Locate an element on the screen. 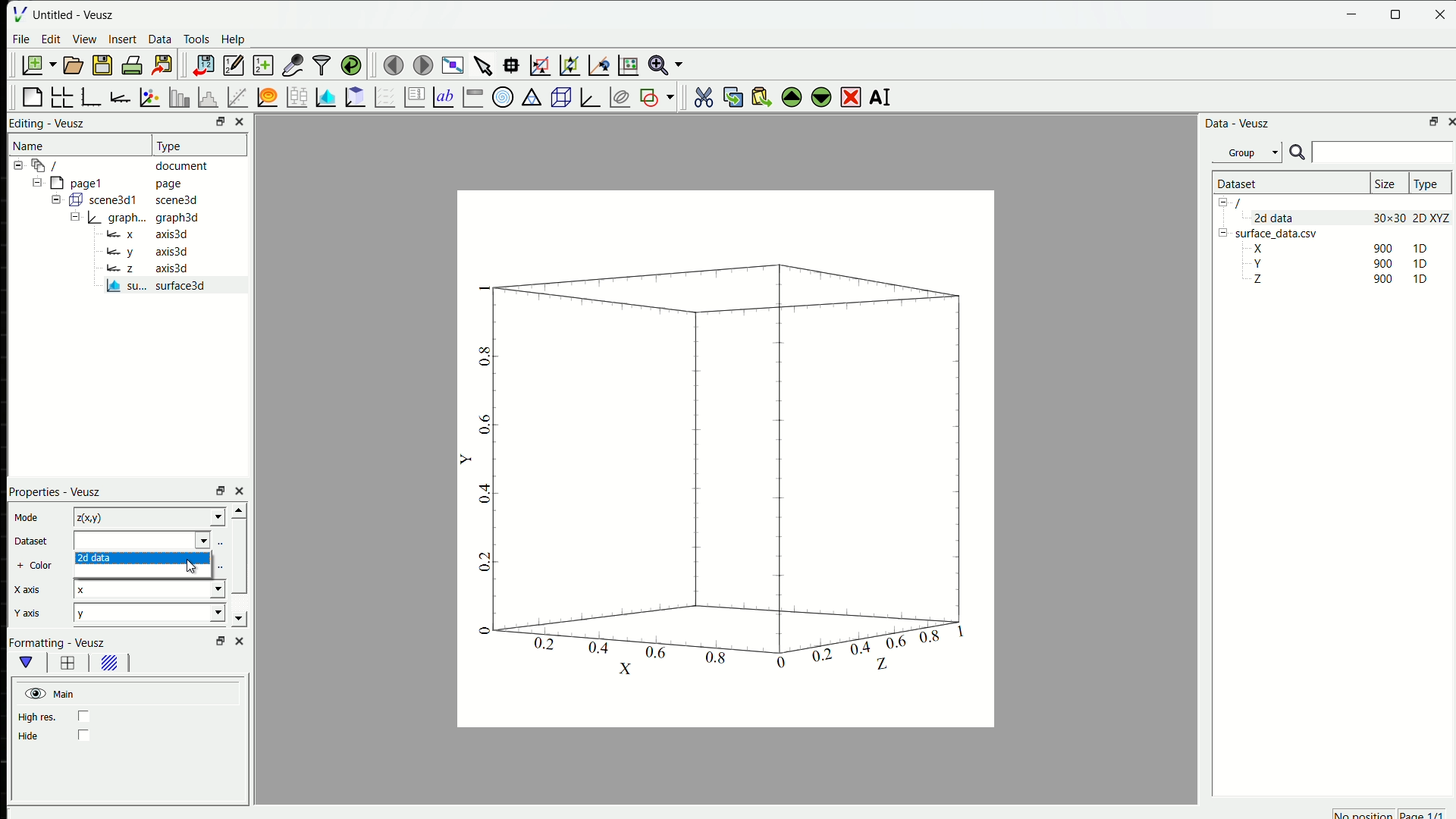 Image resolution: width=1456 pixels, height=819 pixels. Collapse /expand is located at coordinates (76, 216).